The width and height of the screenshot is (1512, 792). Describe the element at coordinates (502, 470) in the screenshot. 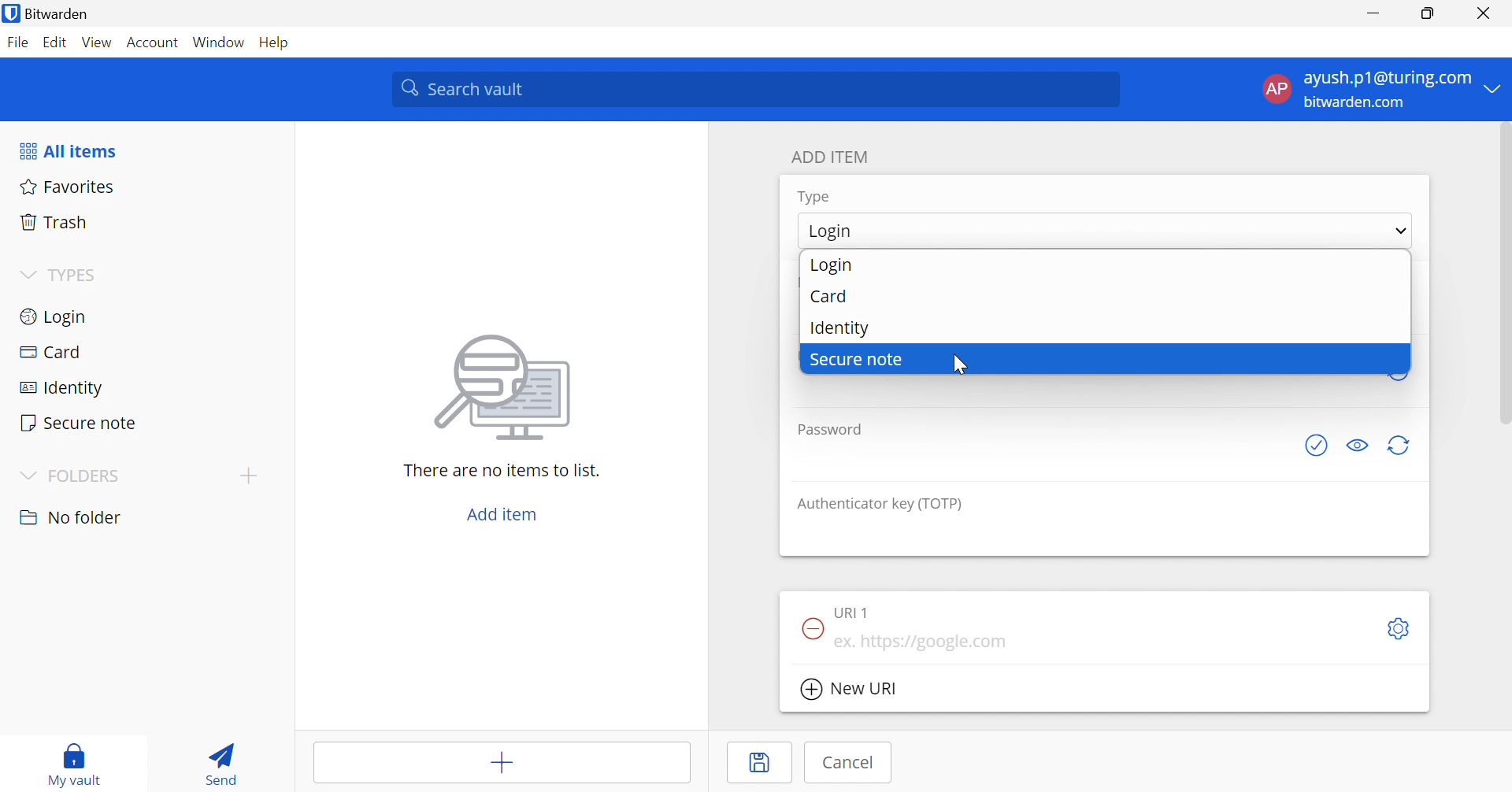

I see `There are no items to list.` at that location.